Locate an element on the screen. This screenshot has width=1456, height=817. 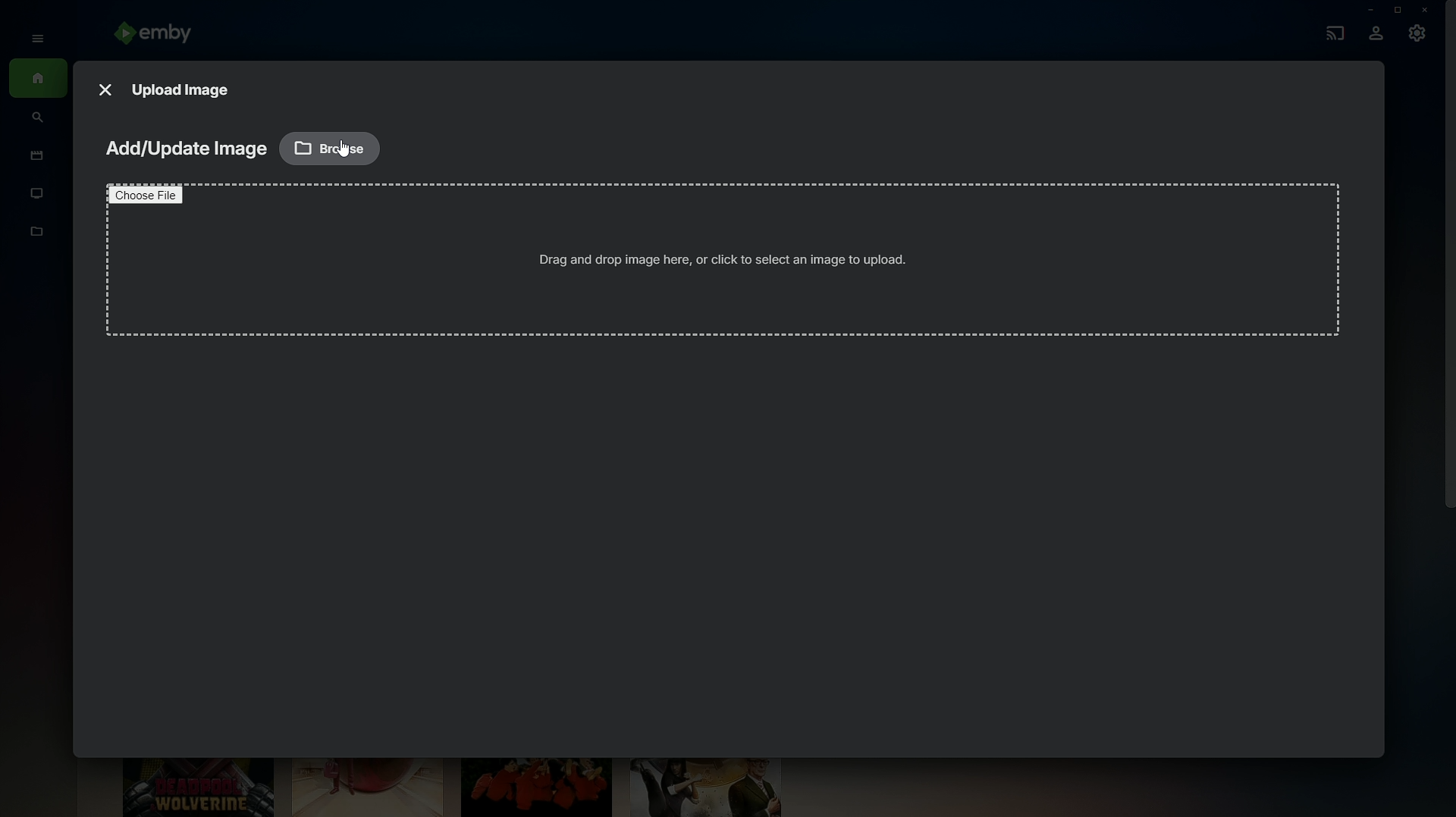
Cast is located at coordinates (1332, 31).